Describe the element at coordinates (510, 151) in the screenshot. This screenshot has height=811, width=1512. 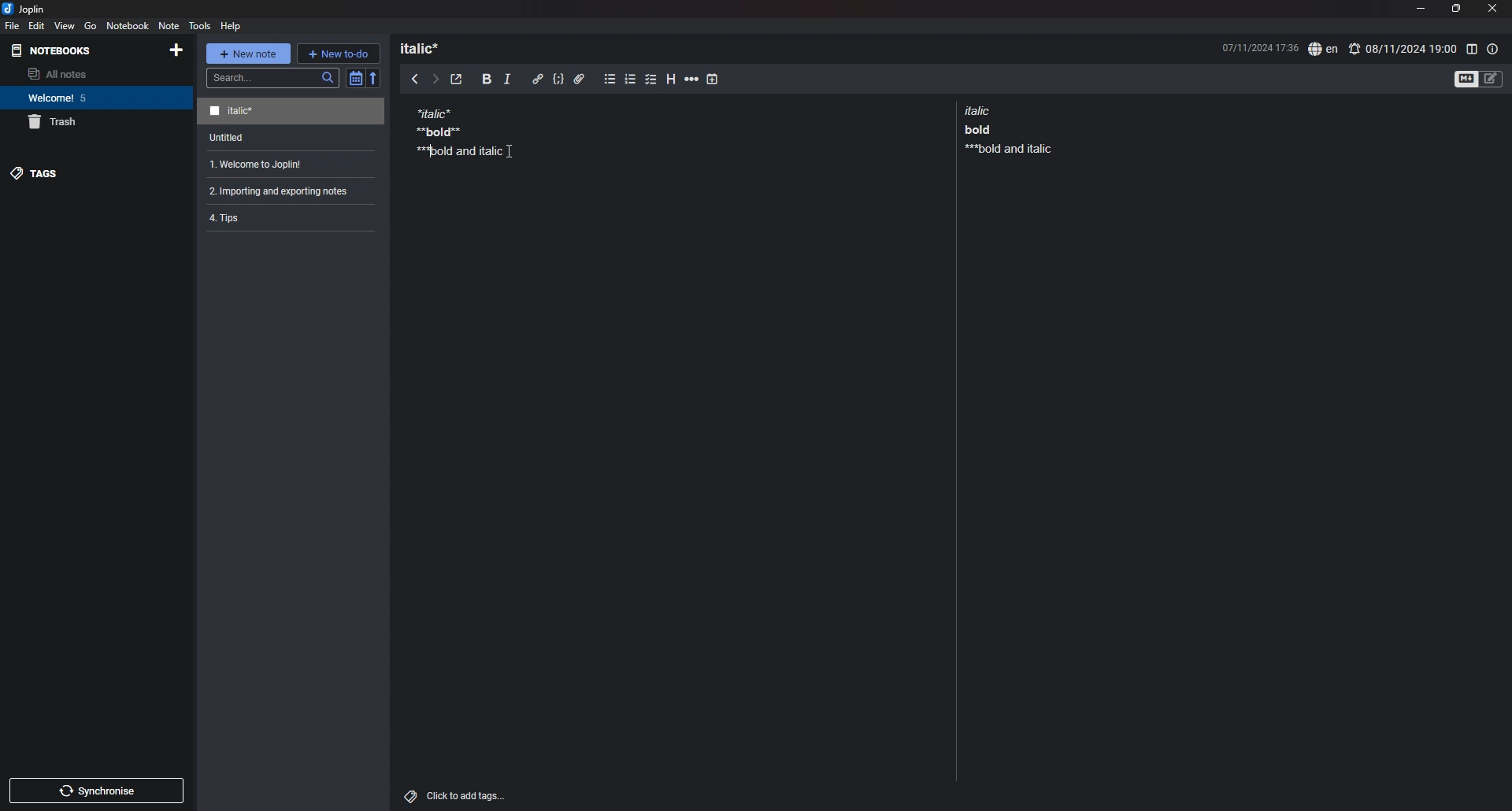
I see `Cursor` at that location.